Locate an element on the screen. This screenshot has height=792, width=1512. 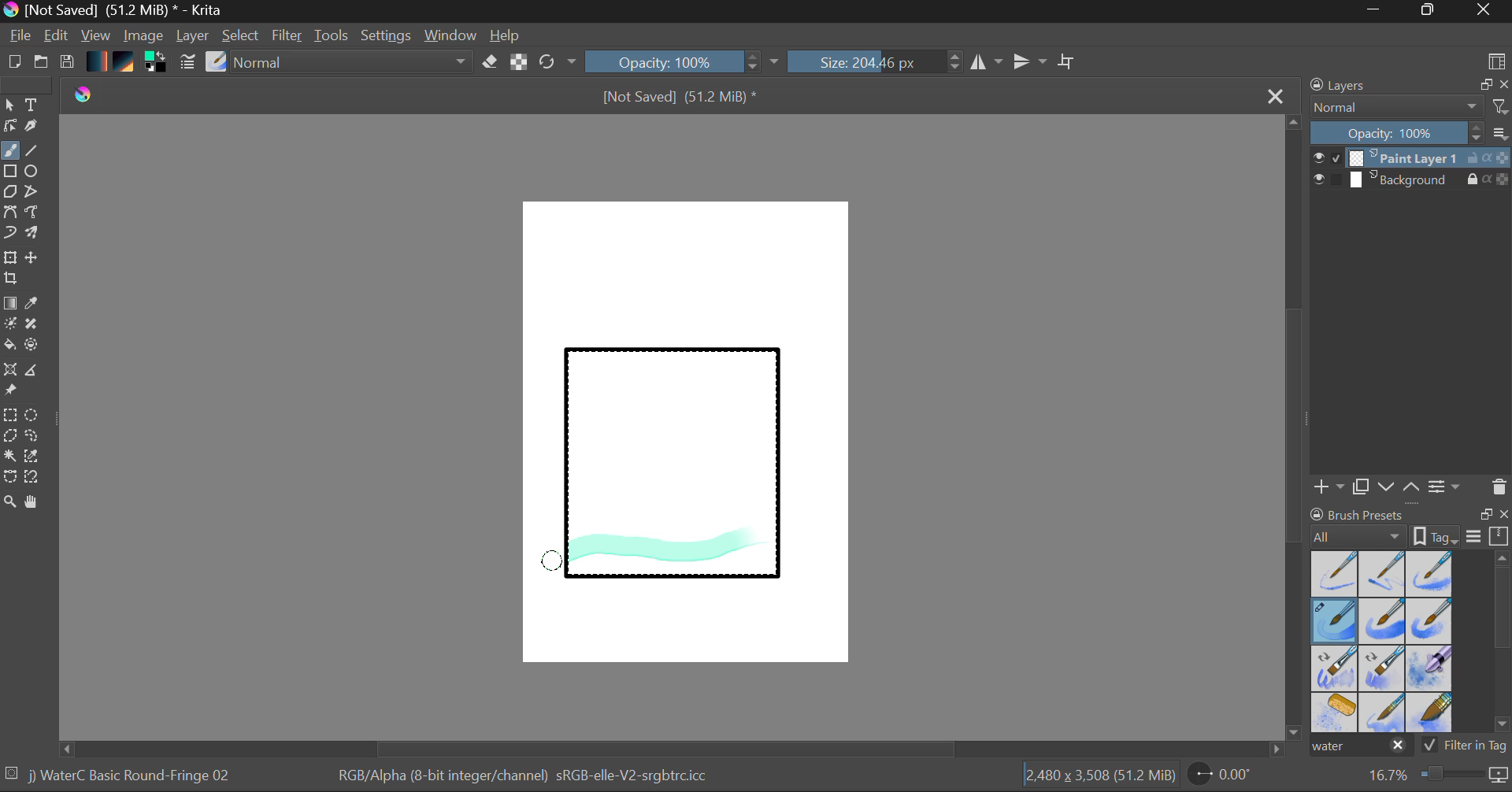
Dynamic Brush is located at coordinates (9, 233).